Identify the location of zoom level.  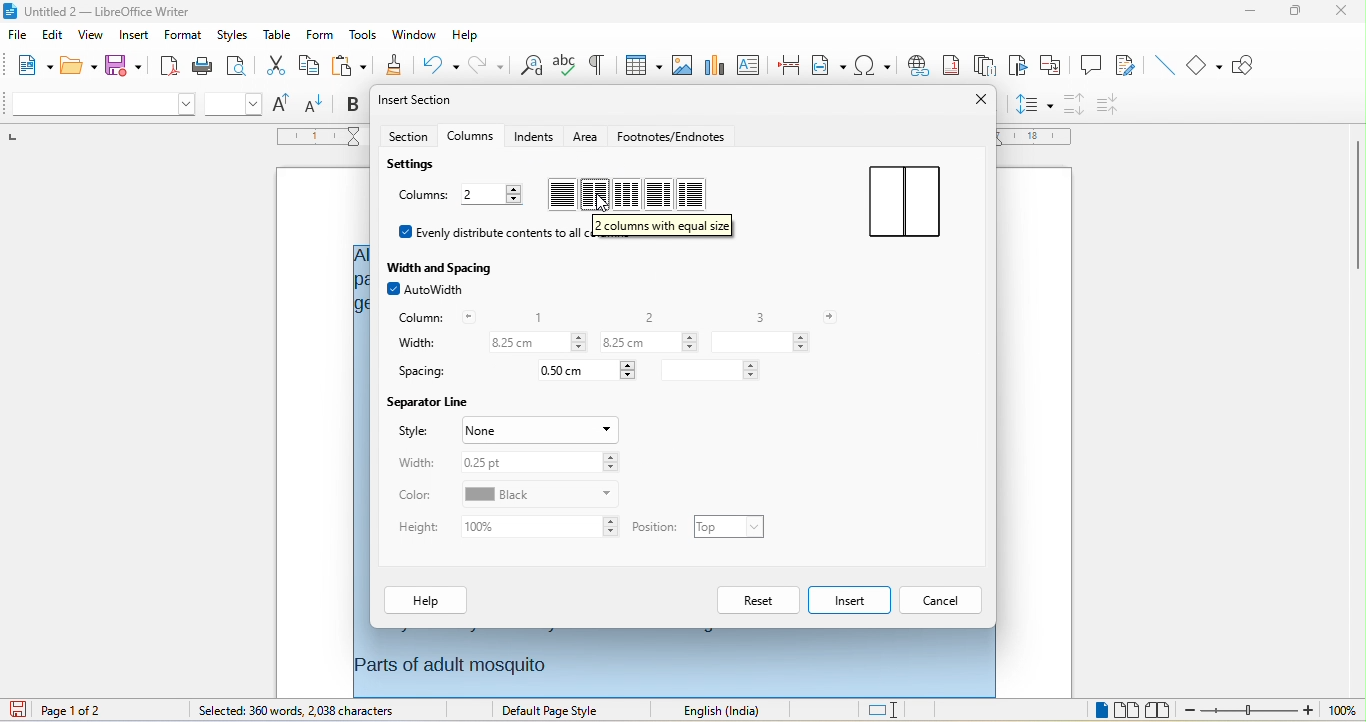
(1342, 711).